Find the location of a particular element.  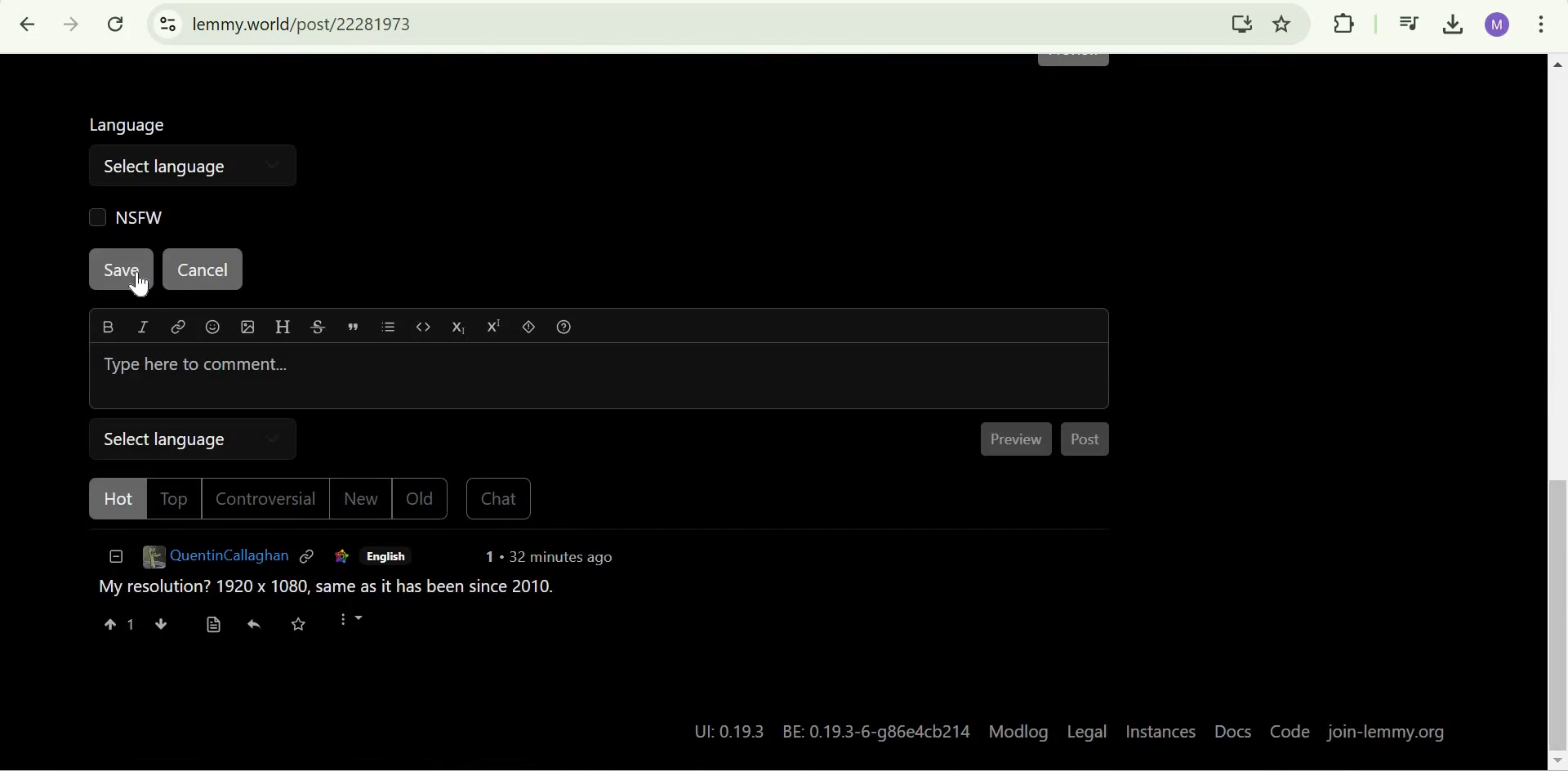

Header is located at coordinates (281, 328).